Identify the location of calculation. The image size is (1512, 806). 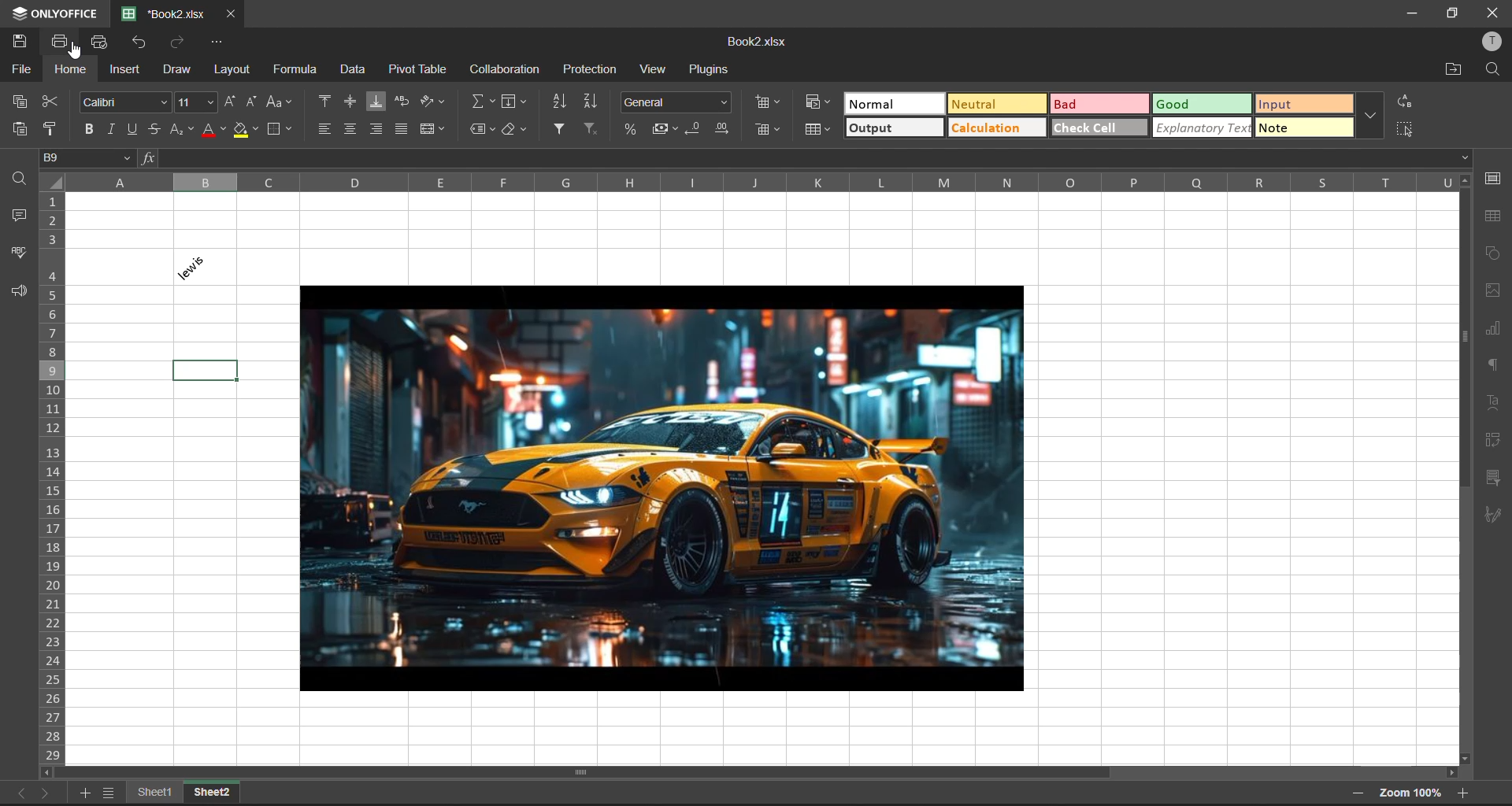
(1001, 125).